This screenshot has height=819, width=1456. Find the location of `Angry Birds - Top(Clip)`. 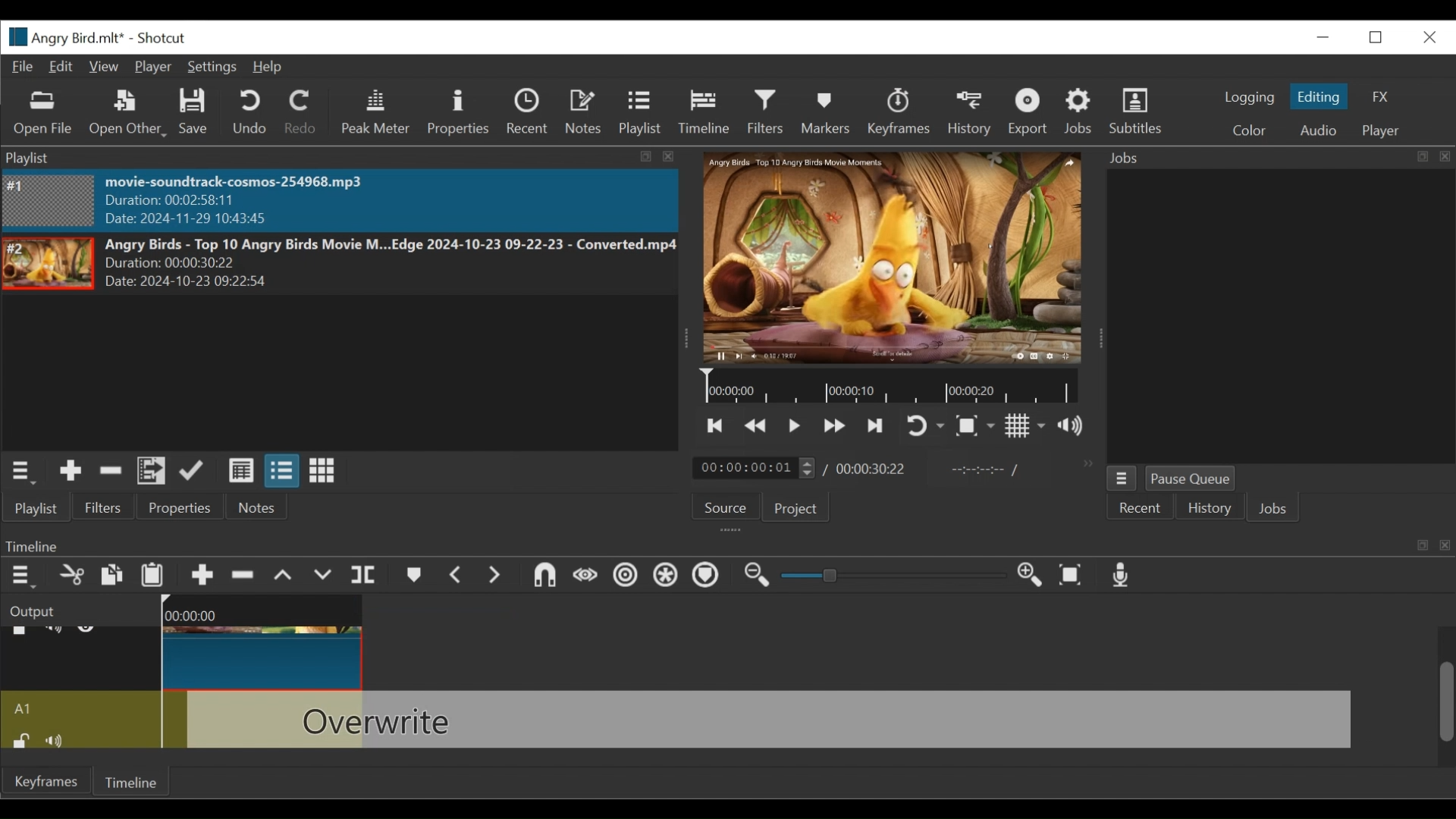

Angry Birds - Top(Clip) is located at coordinates (265, 656).